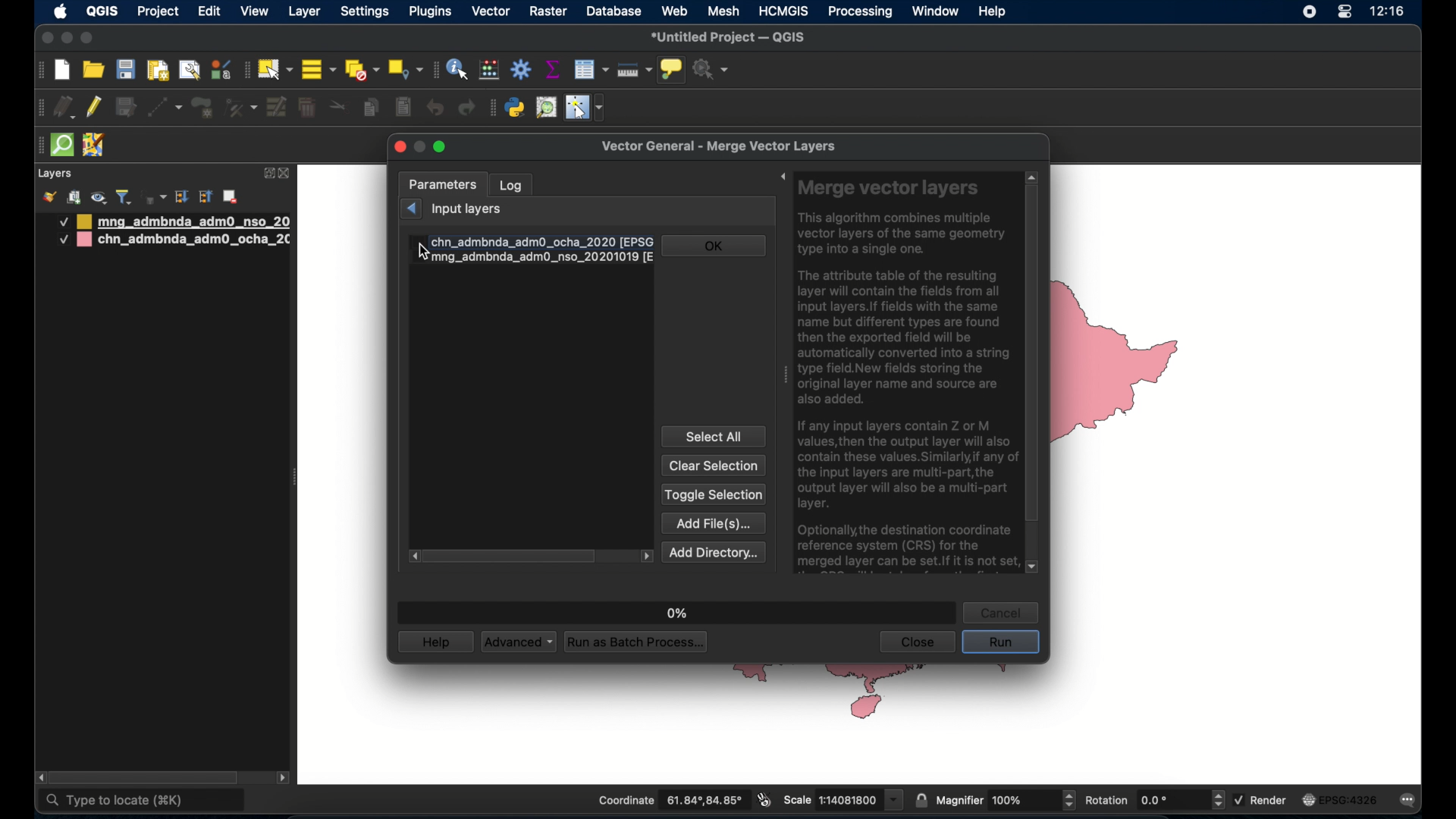  I want to click on project toolbar, so click(38, 71).